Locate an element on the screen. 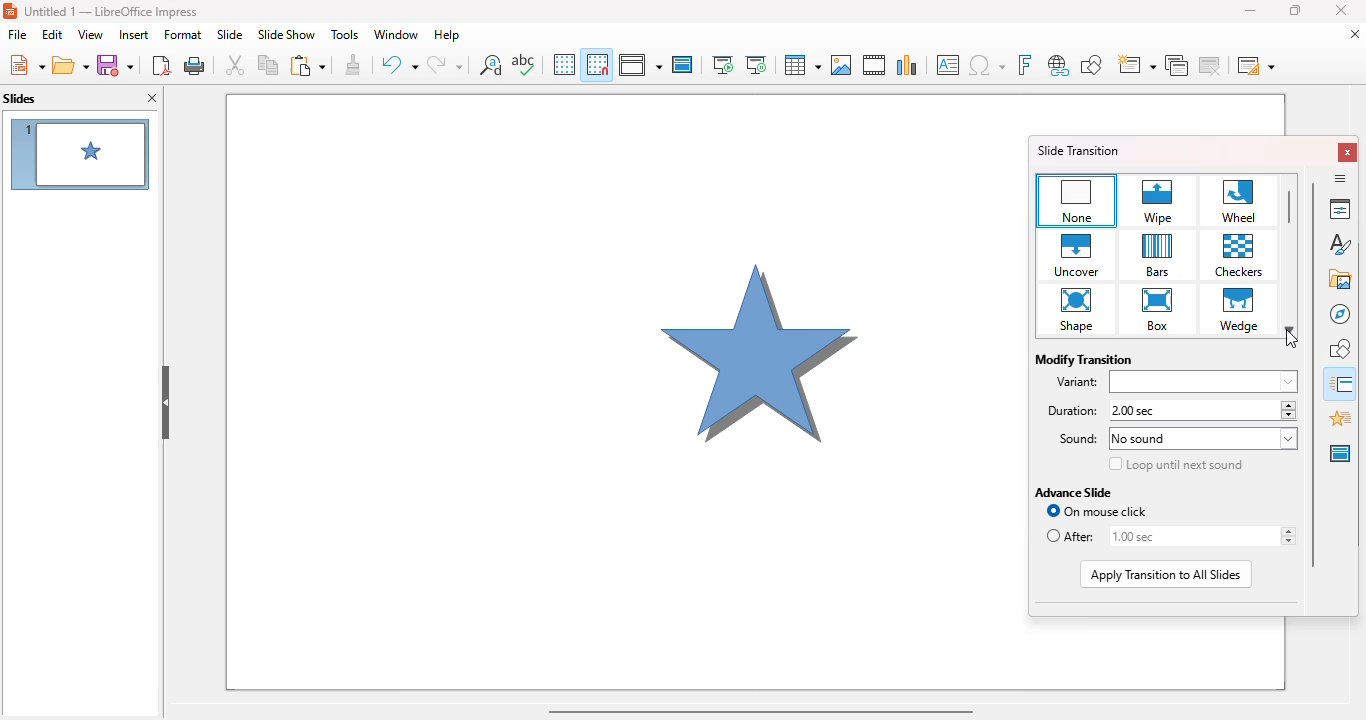 This screenshot has height=720, width=1366. start from current slide is located at coordinates (756, 65).